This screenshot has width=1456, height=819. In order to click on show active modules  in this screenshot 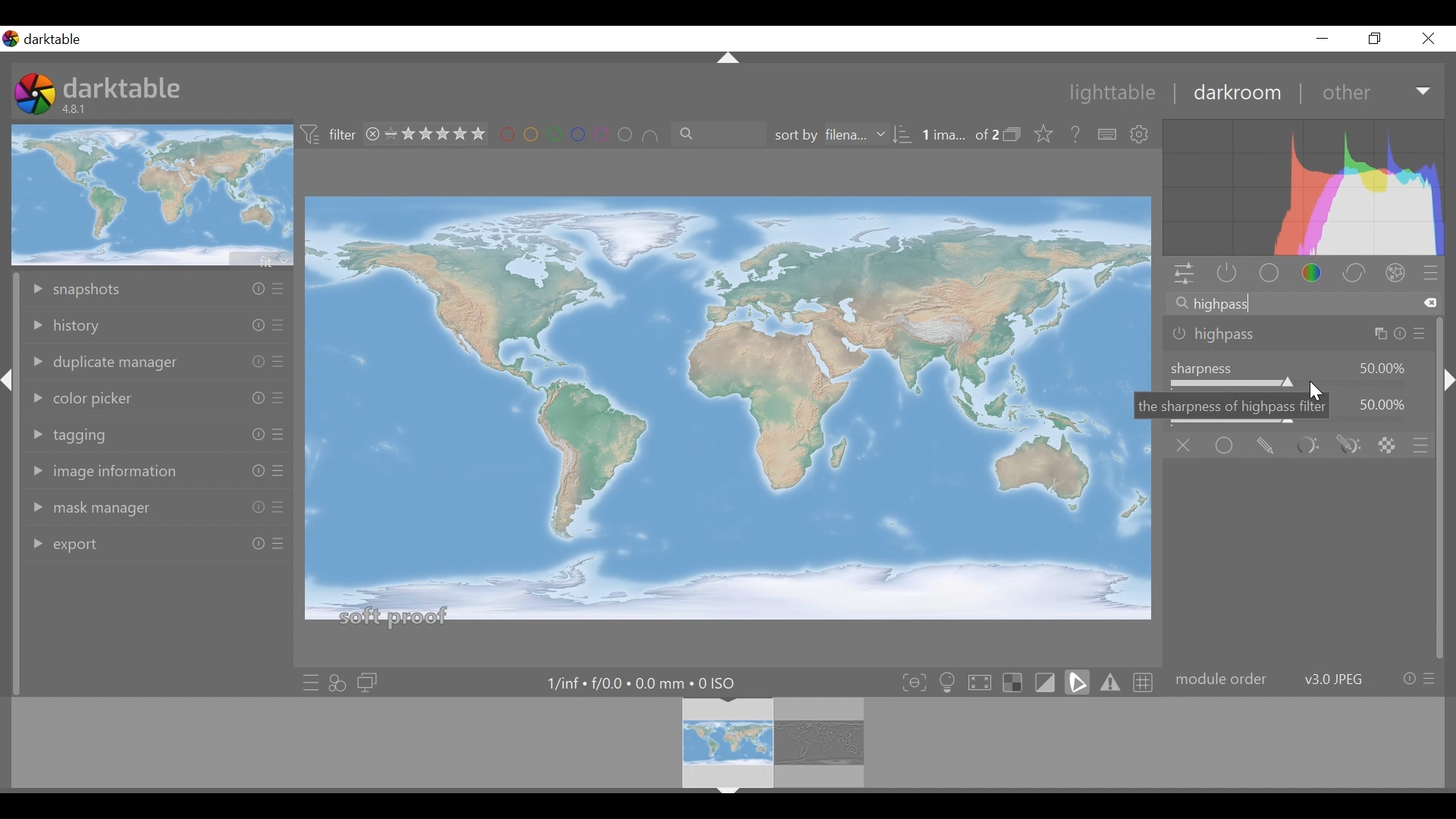, I will do `click(1225, 275)`.